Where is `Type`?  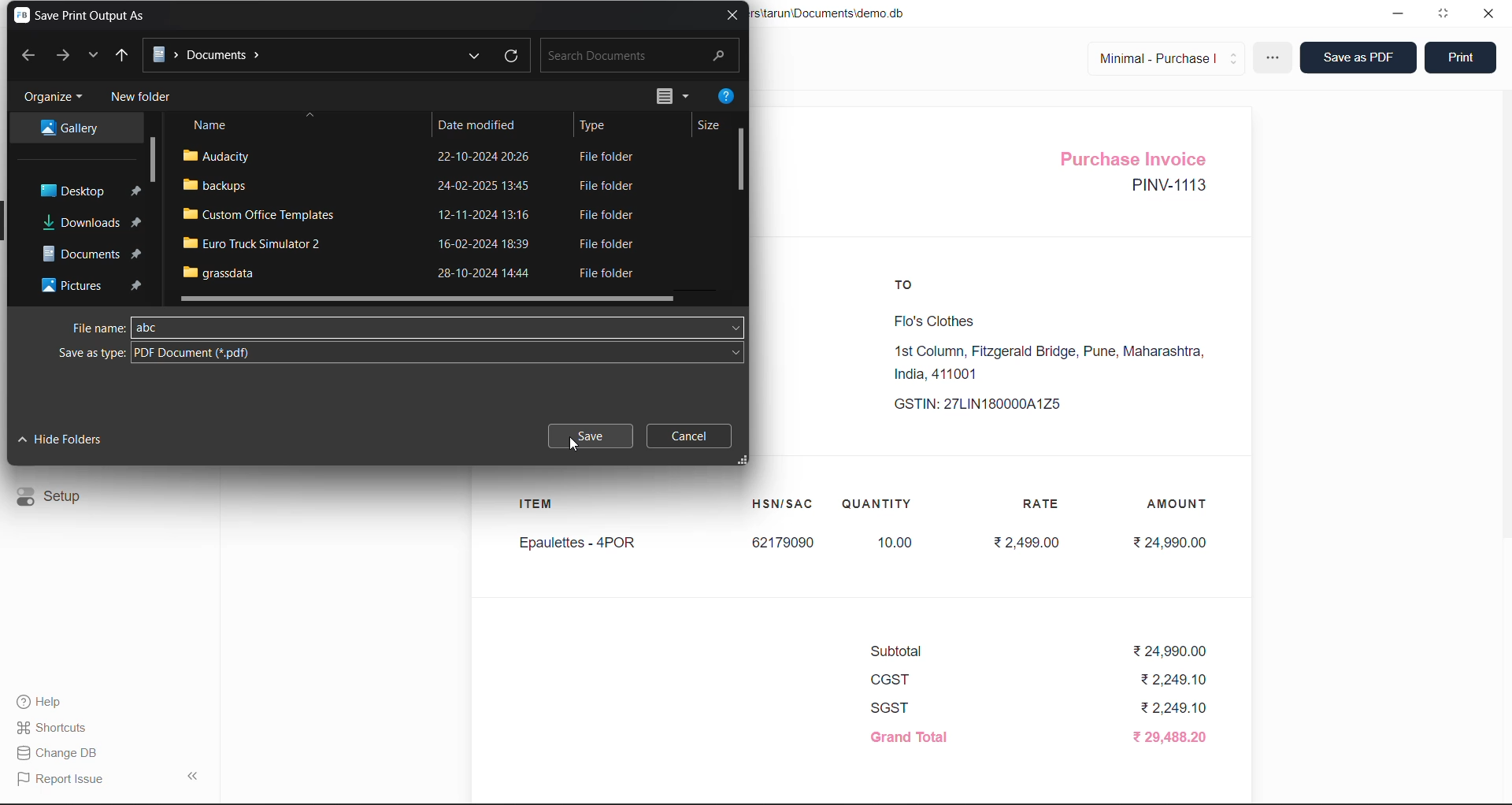
Type is located at coordinates (598, 127).